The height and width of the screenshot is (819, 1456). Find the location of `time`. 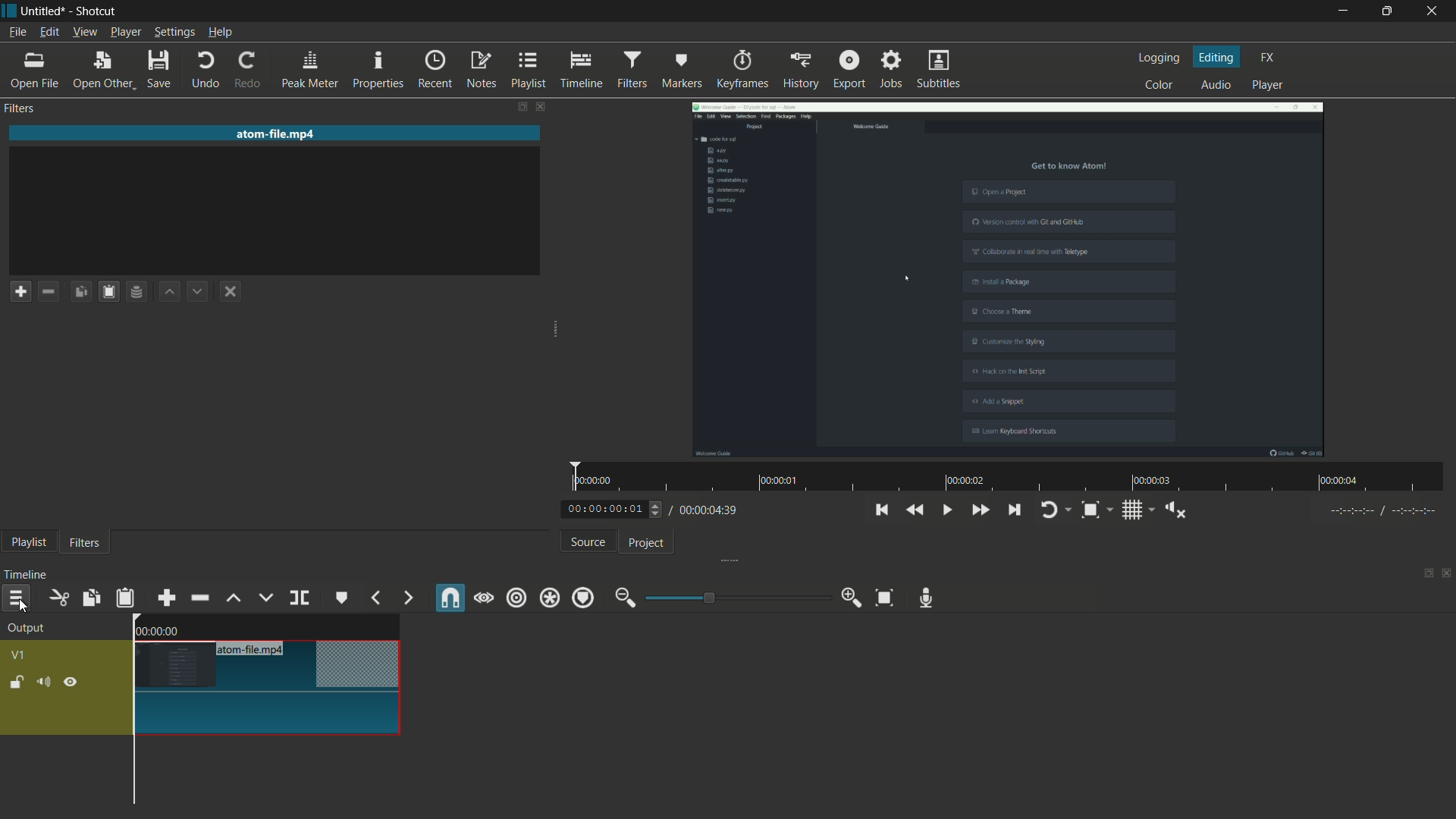

time is located at coordinates (1013, 477).